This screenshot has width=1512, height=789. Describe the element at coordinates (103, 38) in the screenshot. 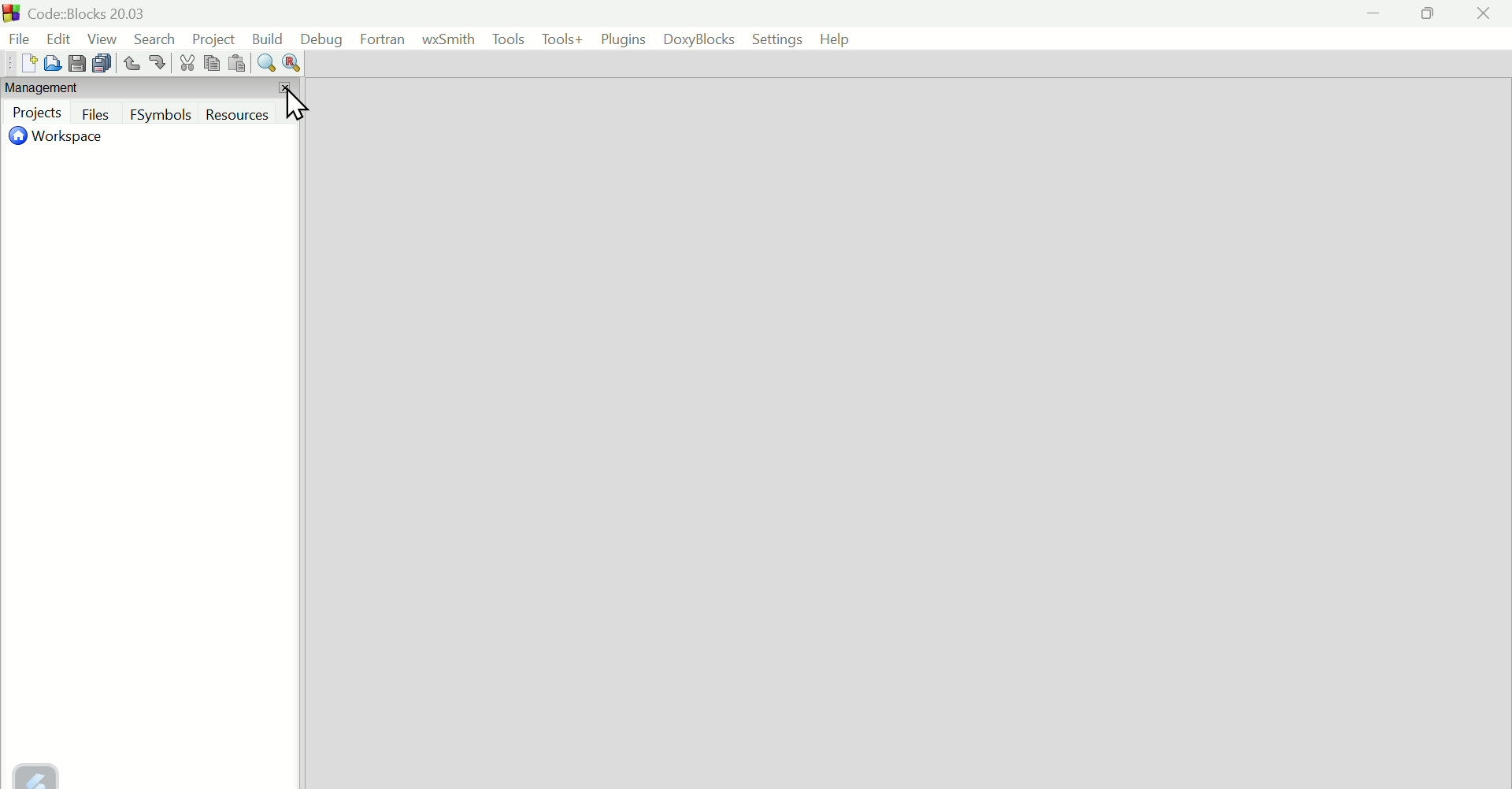

I see `View` at that location.